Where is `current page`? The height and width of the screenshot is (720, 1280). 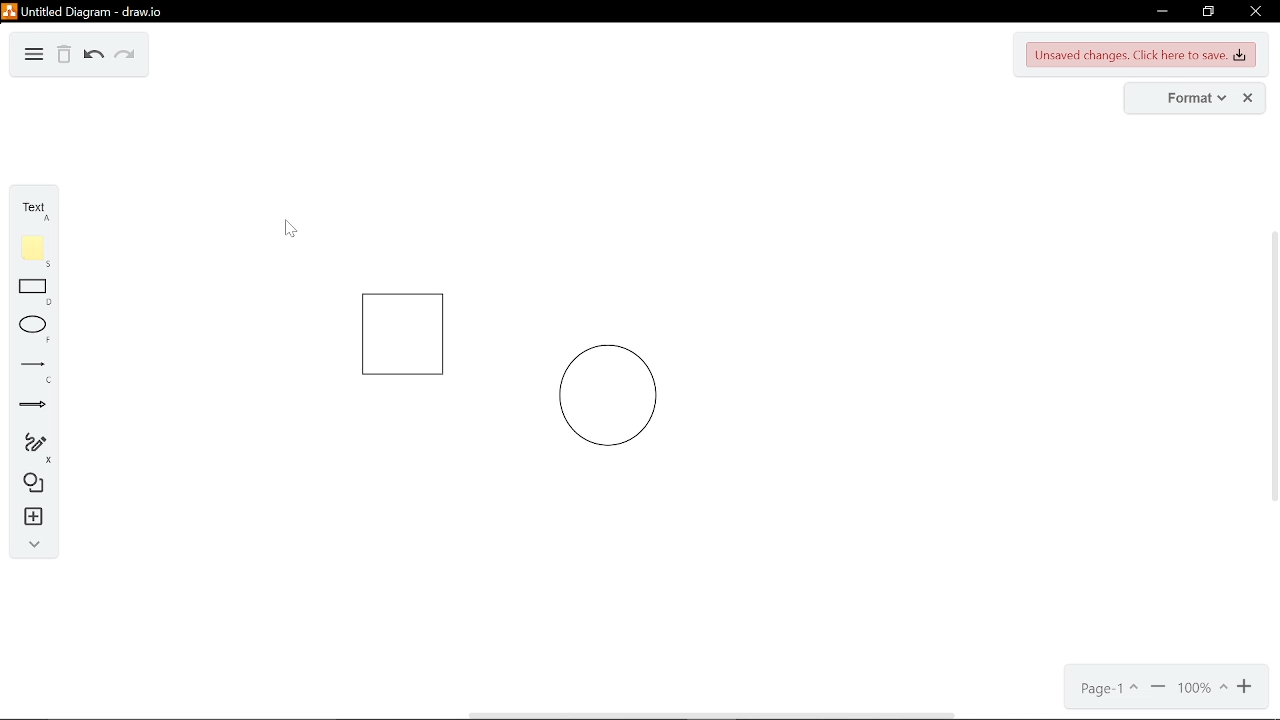
current page is located at coordinates (1104, 689).